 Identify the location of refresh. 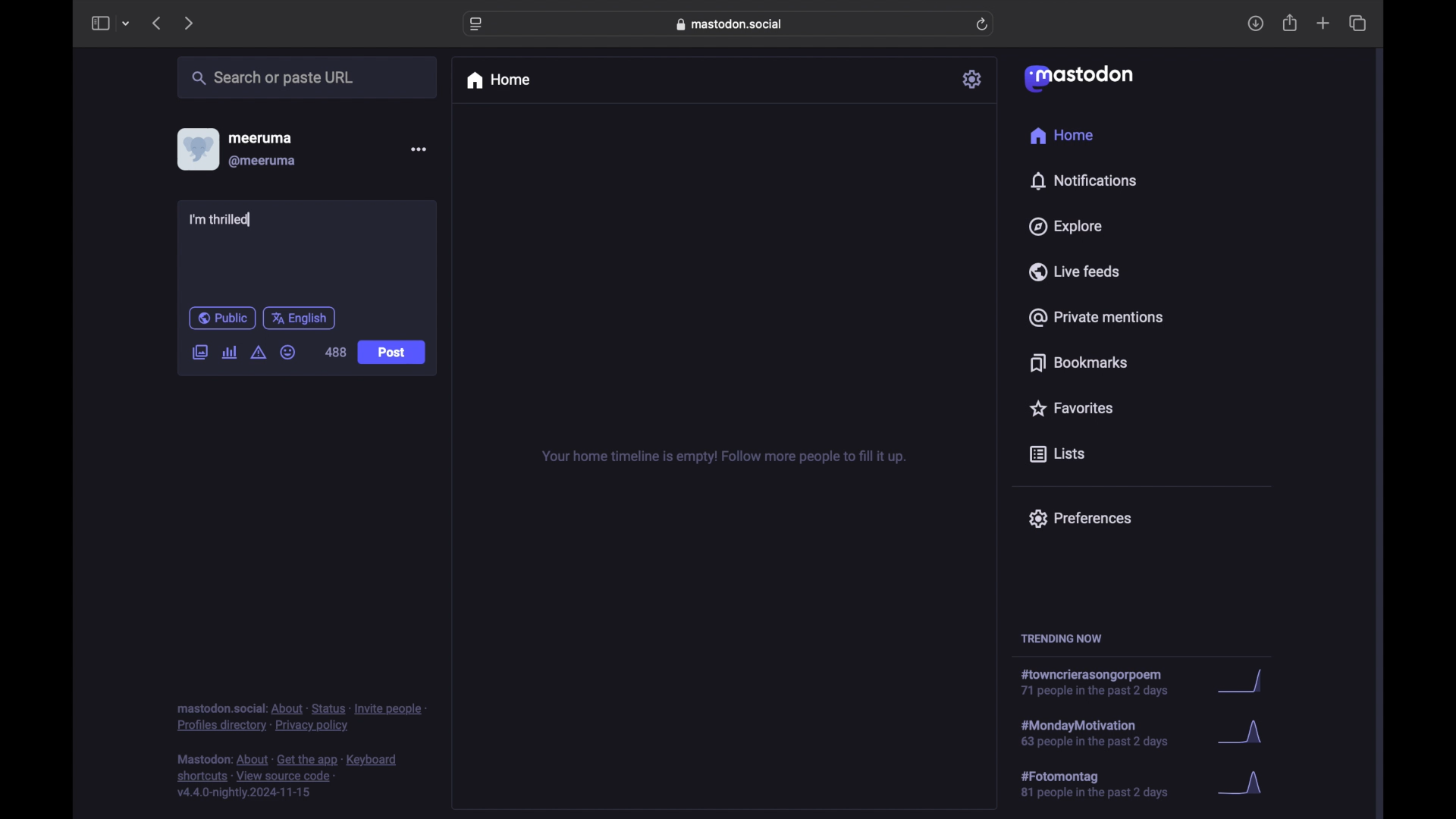
(982, 24).